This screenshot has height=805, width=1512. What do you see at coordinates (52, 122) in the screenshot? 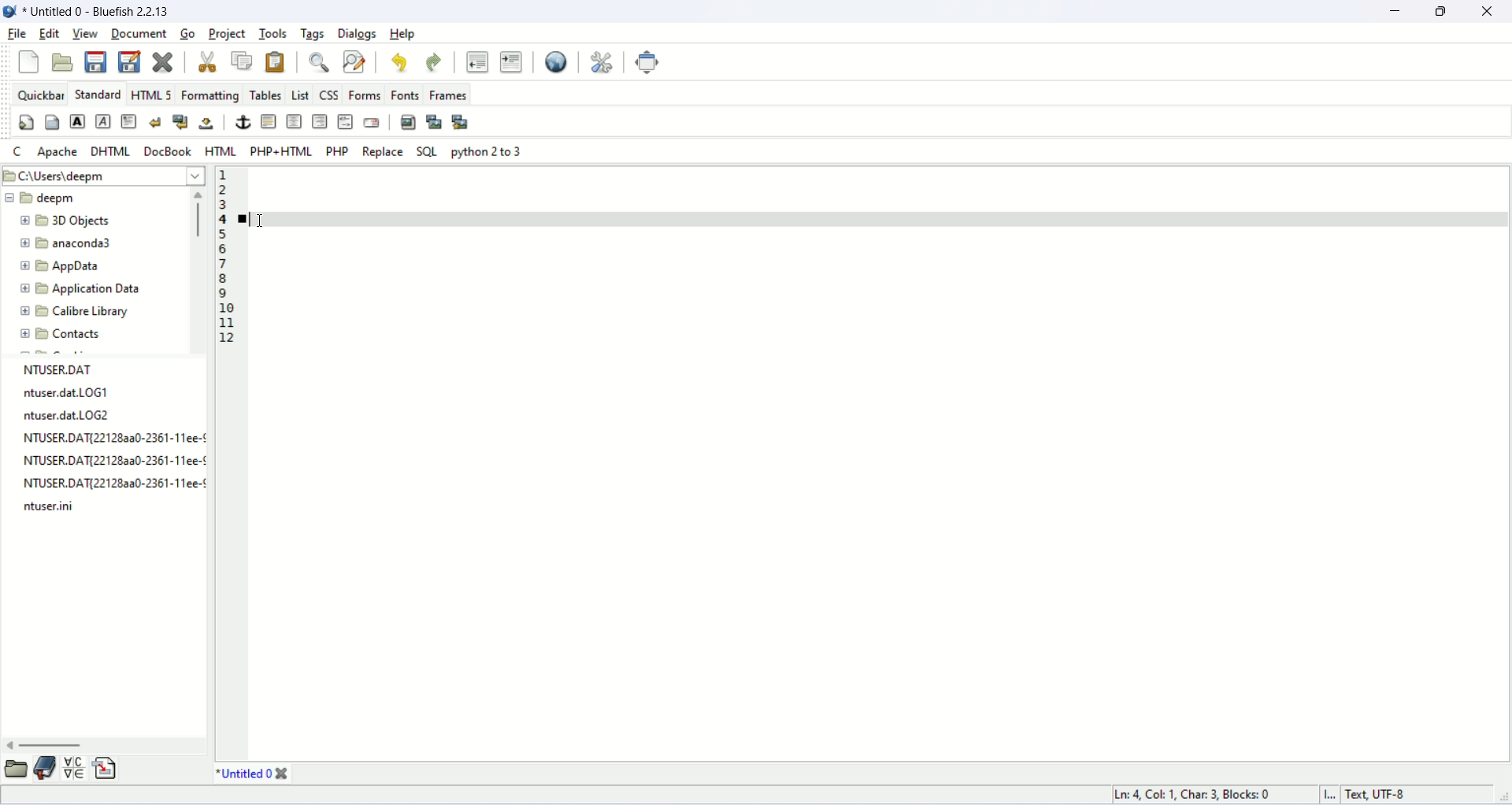
I see `body` at bounding box center [52, 122].